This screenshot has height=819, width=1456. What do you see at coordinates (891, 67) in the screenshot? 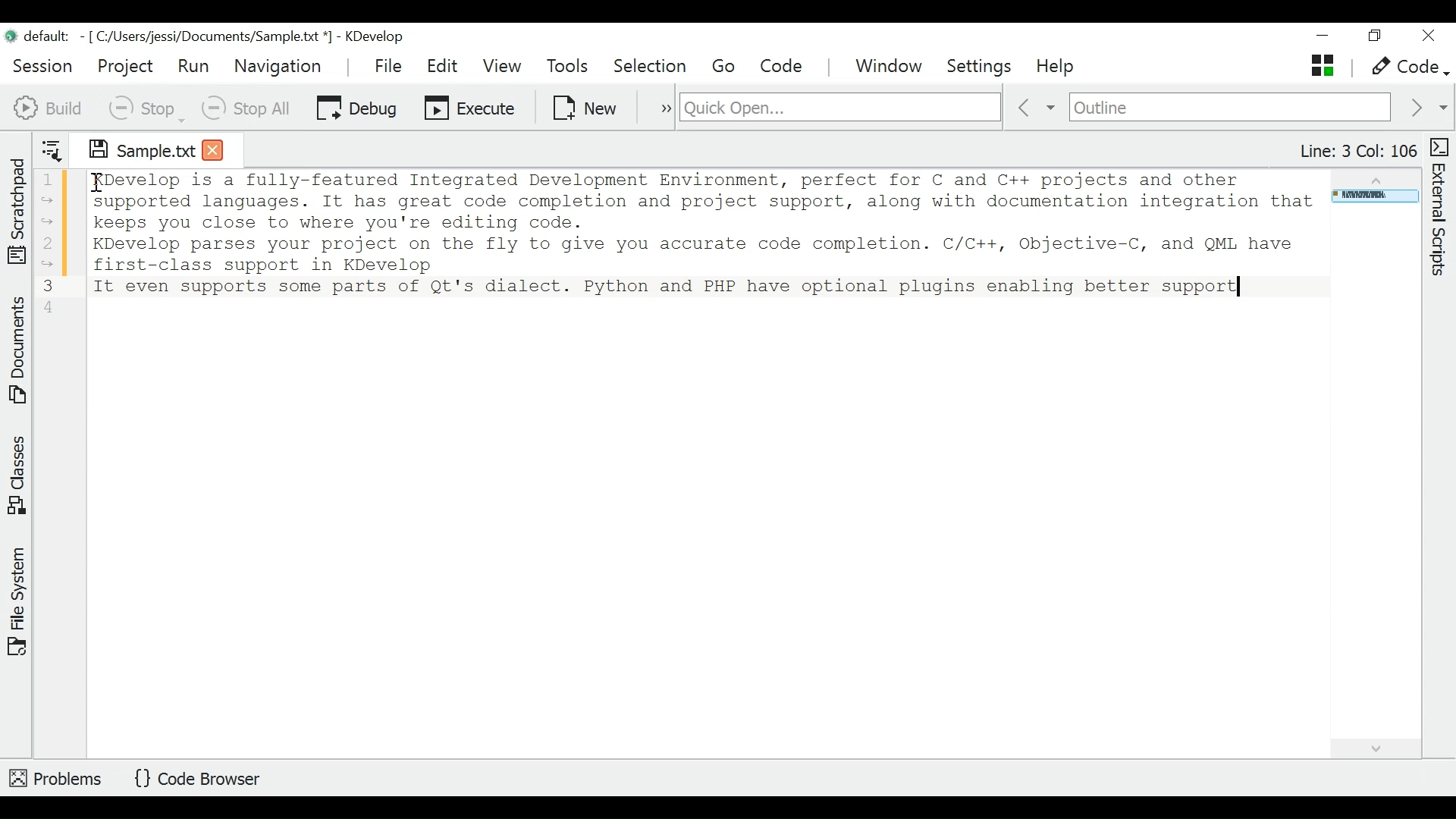
I see `Window` at bounding box center [891, 67].